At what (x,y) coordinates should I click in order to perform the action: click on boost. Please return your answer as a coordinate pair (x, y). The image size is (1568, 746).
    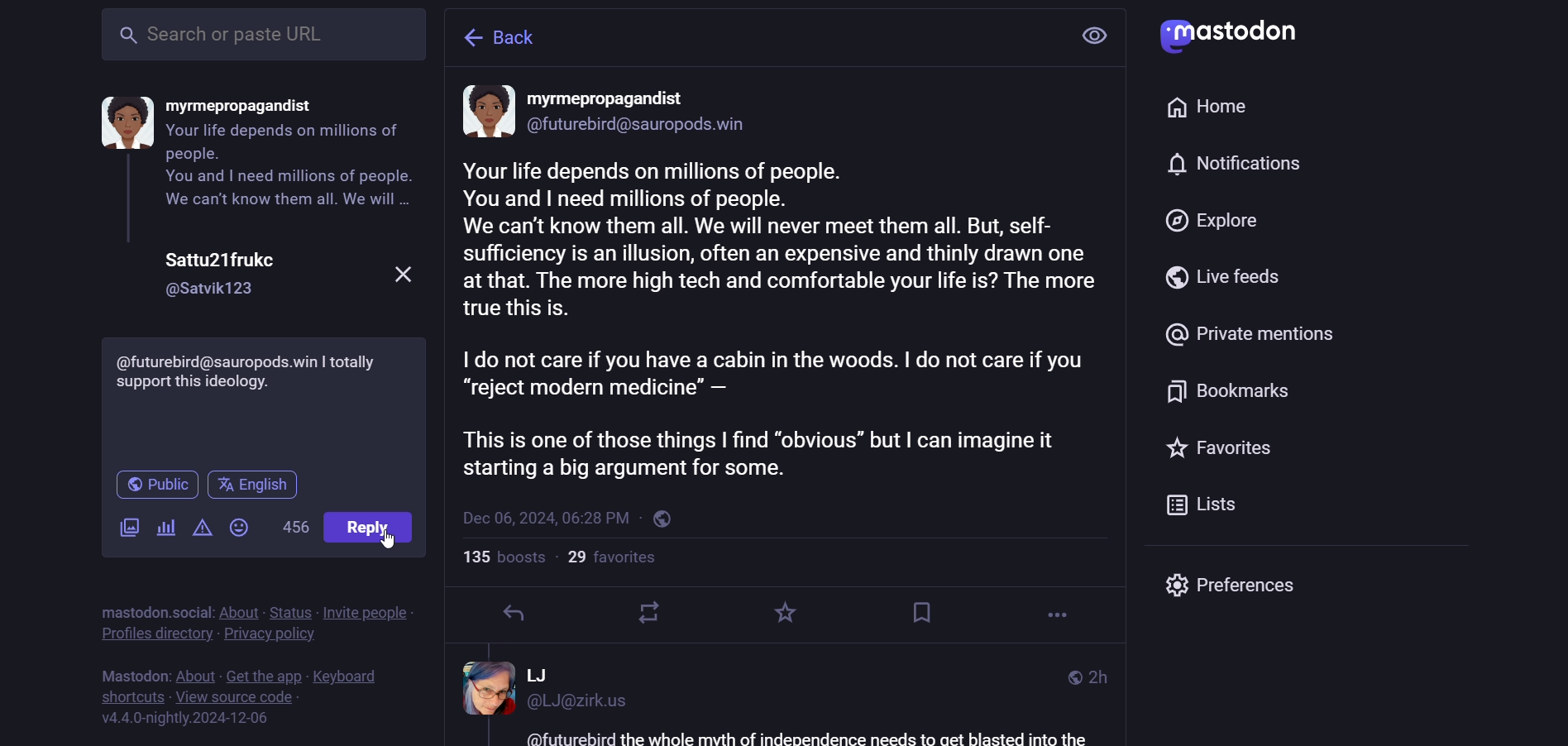
    Looking at the image, I should click on (647, 614).